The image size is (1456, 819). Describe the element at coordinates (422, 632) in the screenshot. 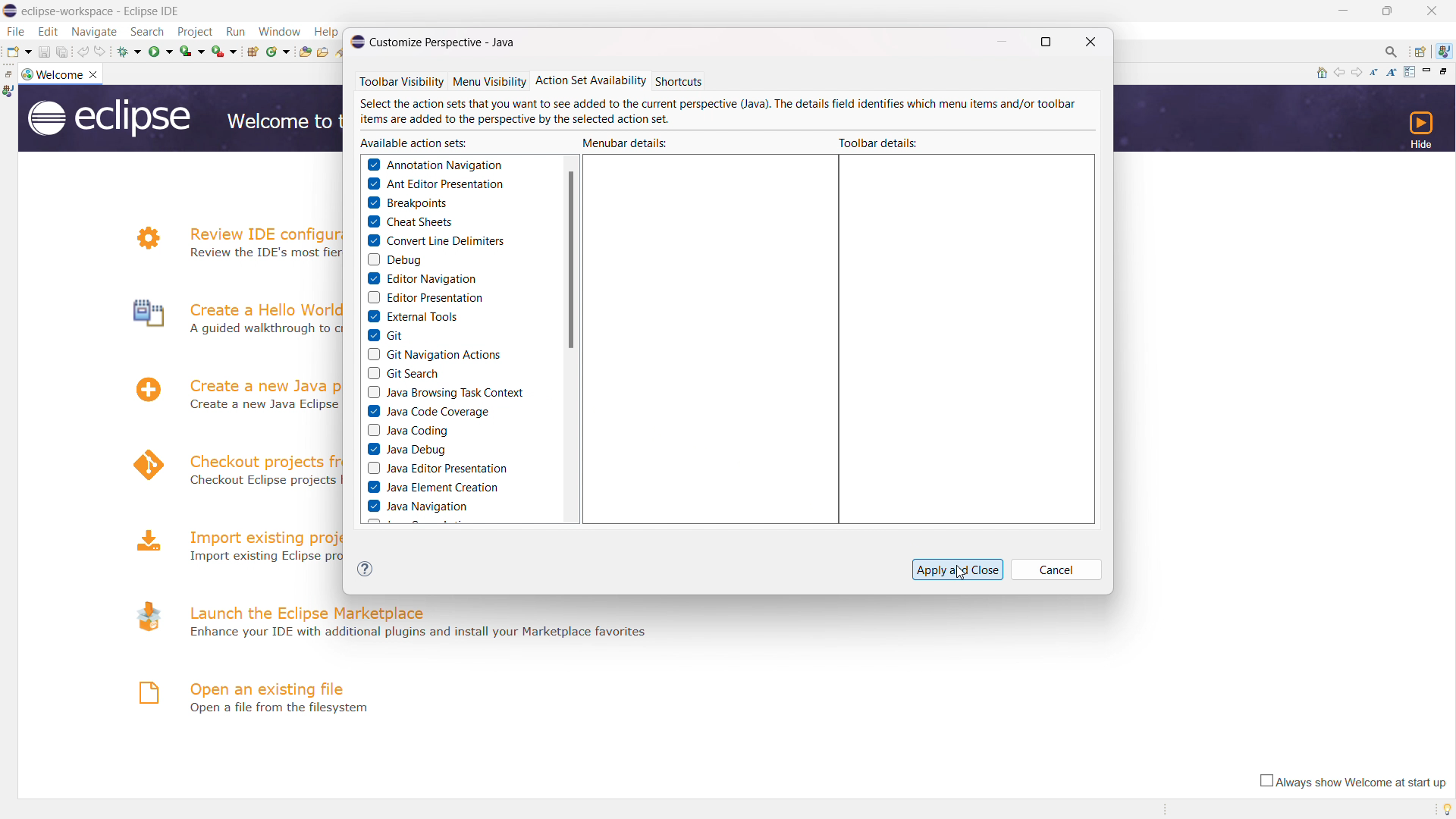

I see `- Enhance your IDE with additional plugins and install your Marketplace favorites` at that location.